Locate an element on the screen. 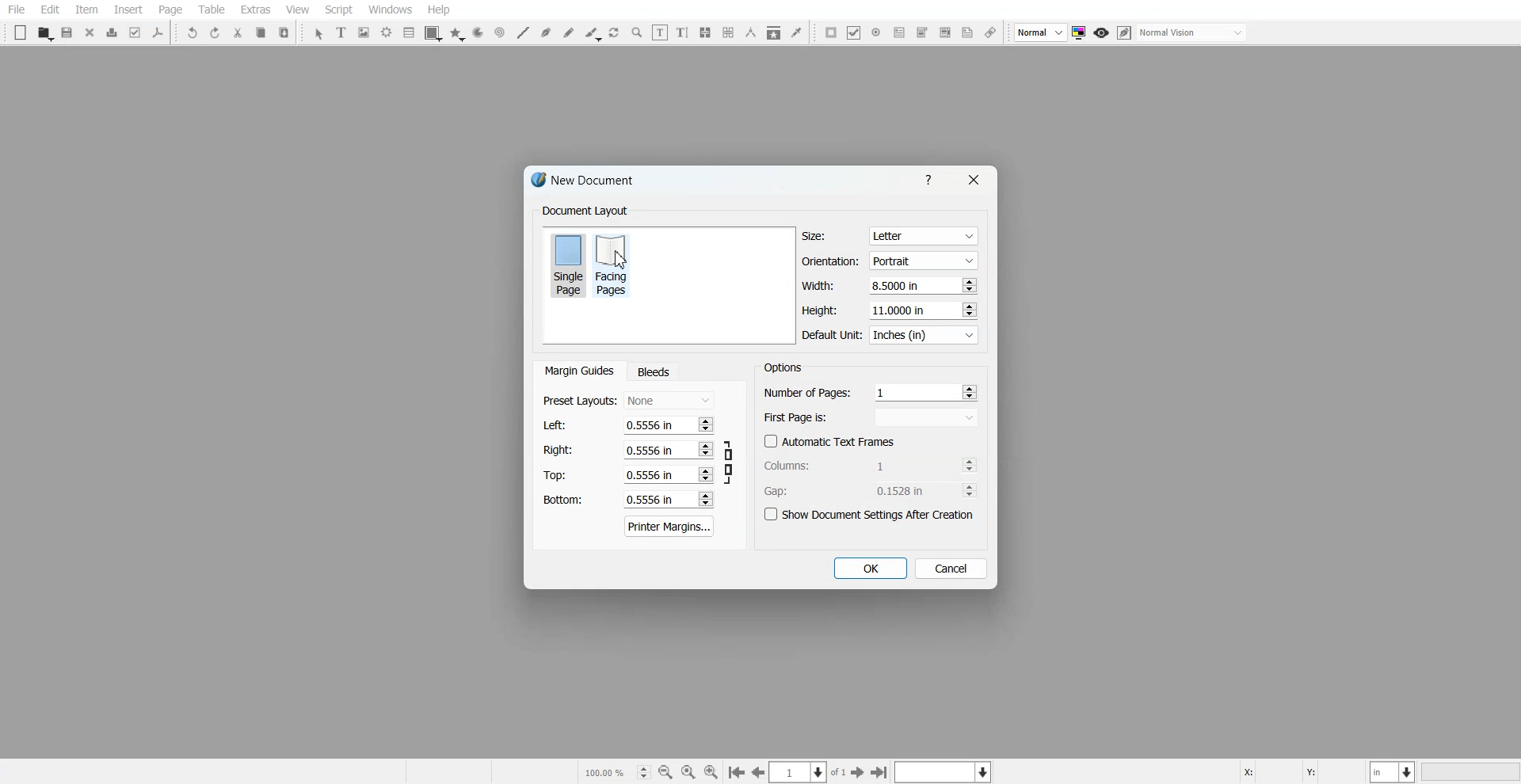 The image size is (1521, 784). Copy Item Properties is located at coordinates (774, 32).